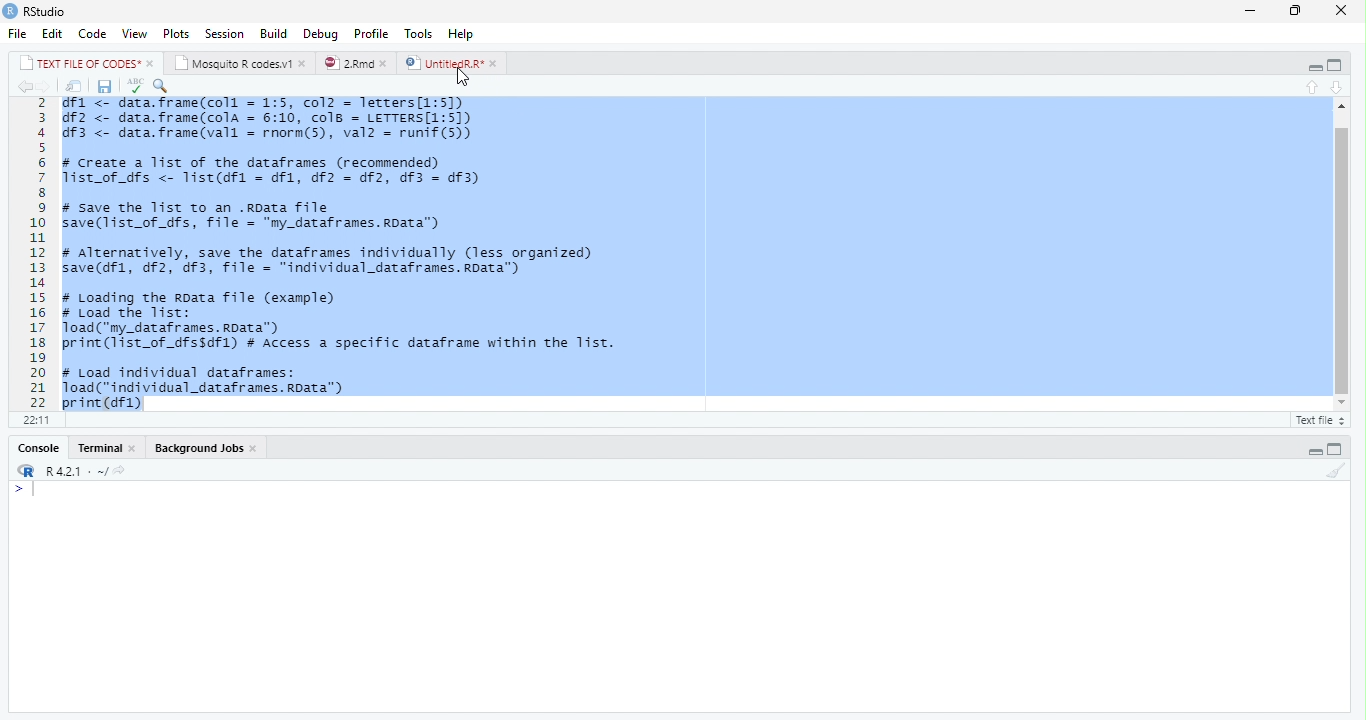  I want to click on Console, so click(680, 597).